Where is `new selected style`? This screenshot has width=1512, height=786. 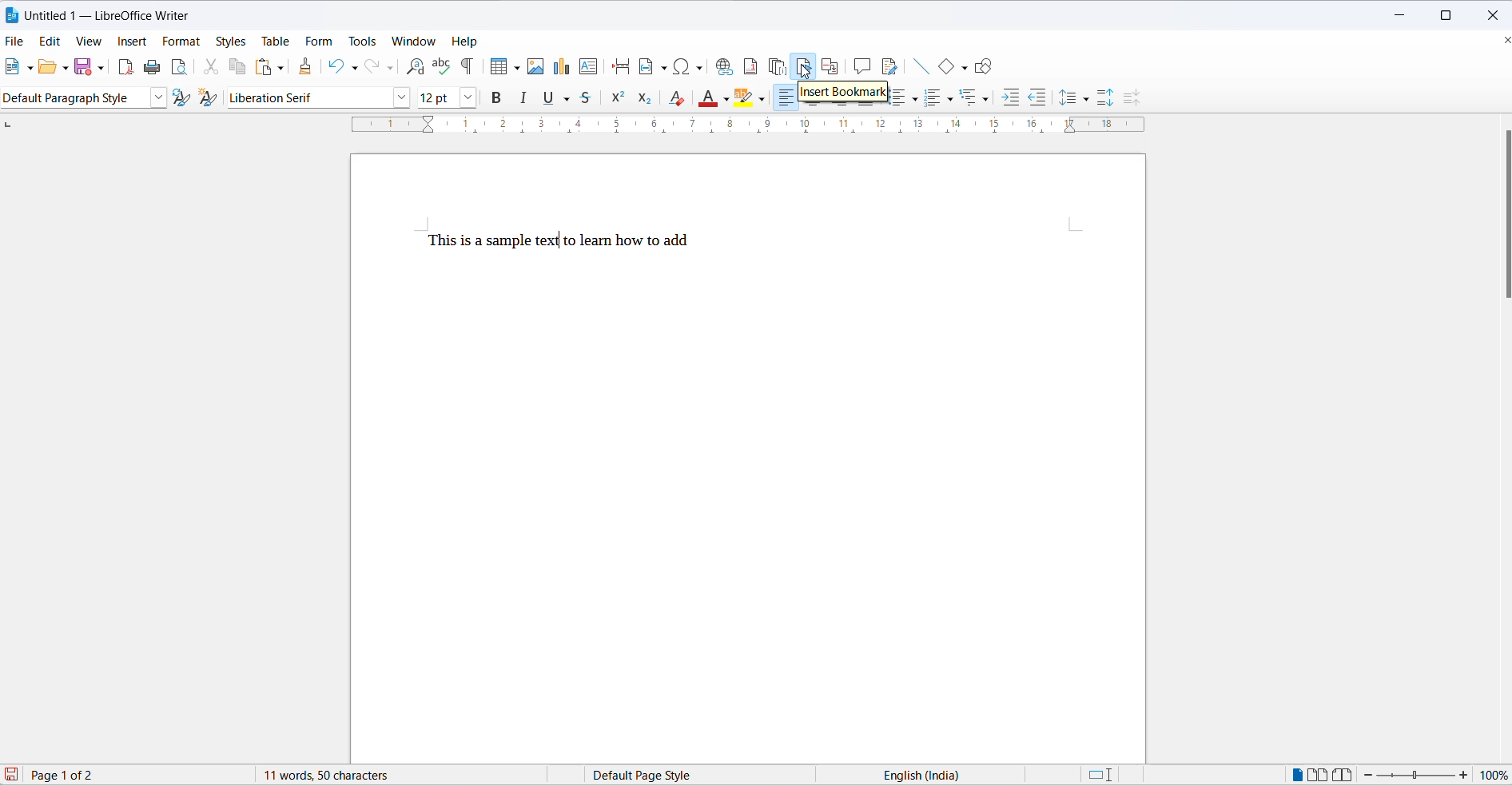
new selected style is located at coordinates (209, 98).